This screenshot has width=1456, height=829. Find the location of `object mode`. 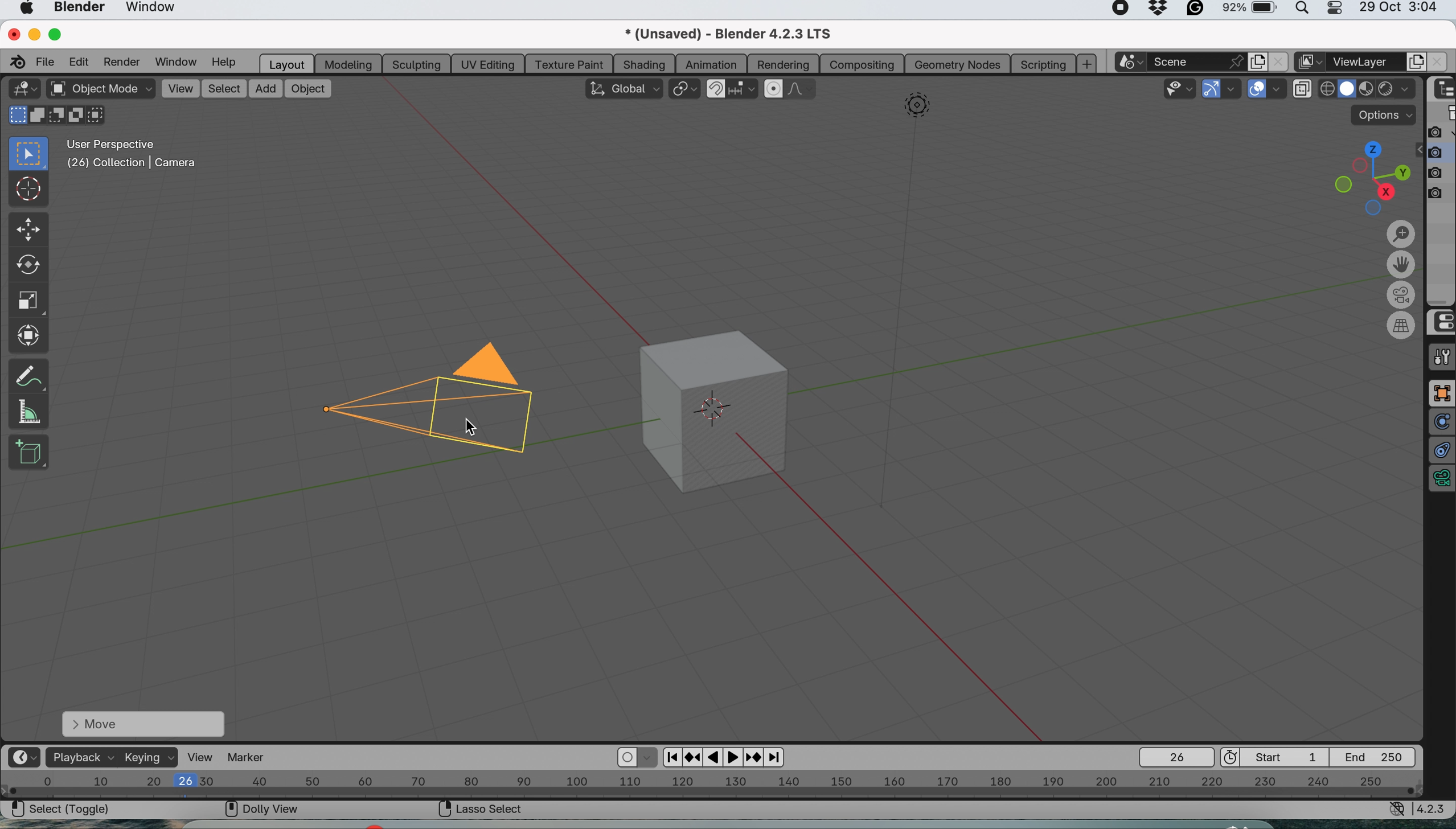

object mode is located at coordinates (100, 90).